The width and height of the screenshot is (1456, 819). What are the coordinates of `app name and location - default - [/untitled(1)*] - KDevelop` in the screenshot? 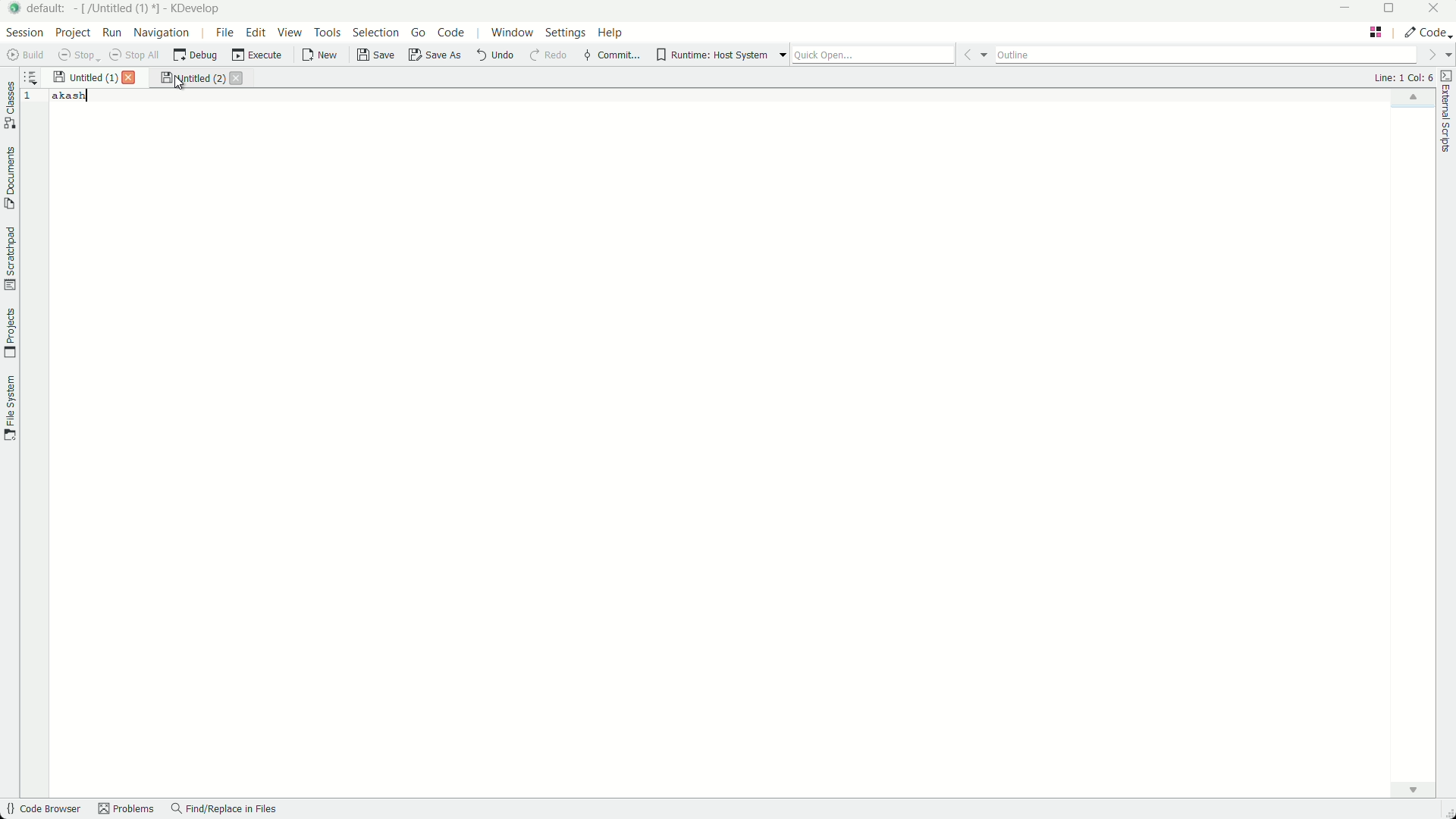 It's located at (128, 10).